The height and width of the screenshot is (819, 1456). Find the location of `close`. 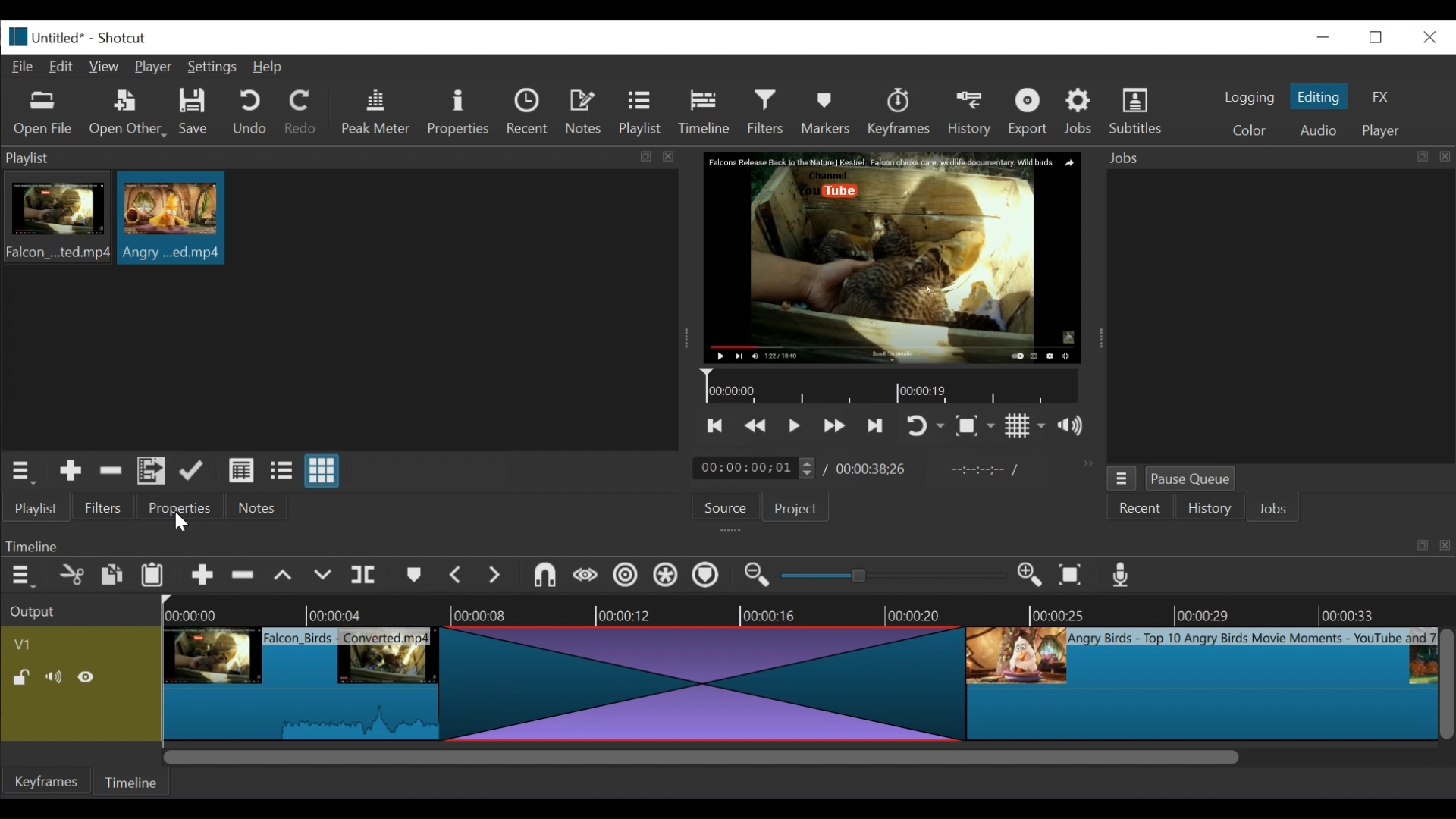

close is located at coordinates (1428, 36).